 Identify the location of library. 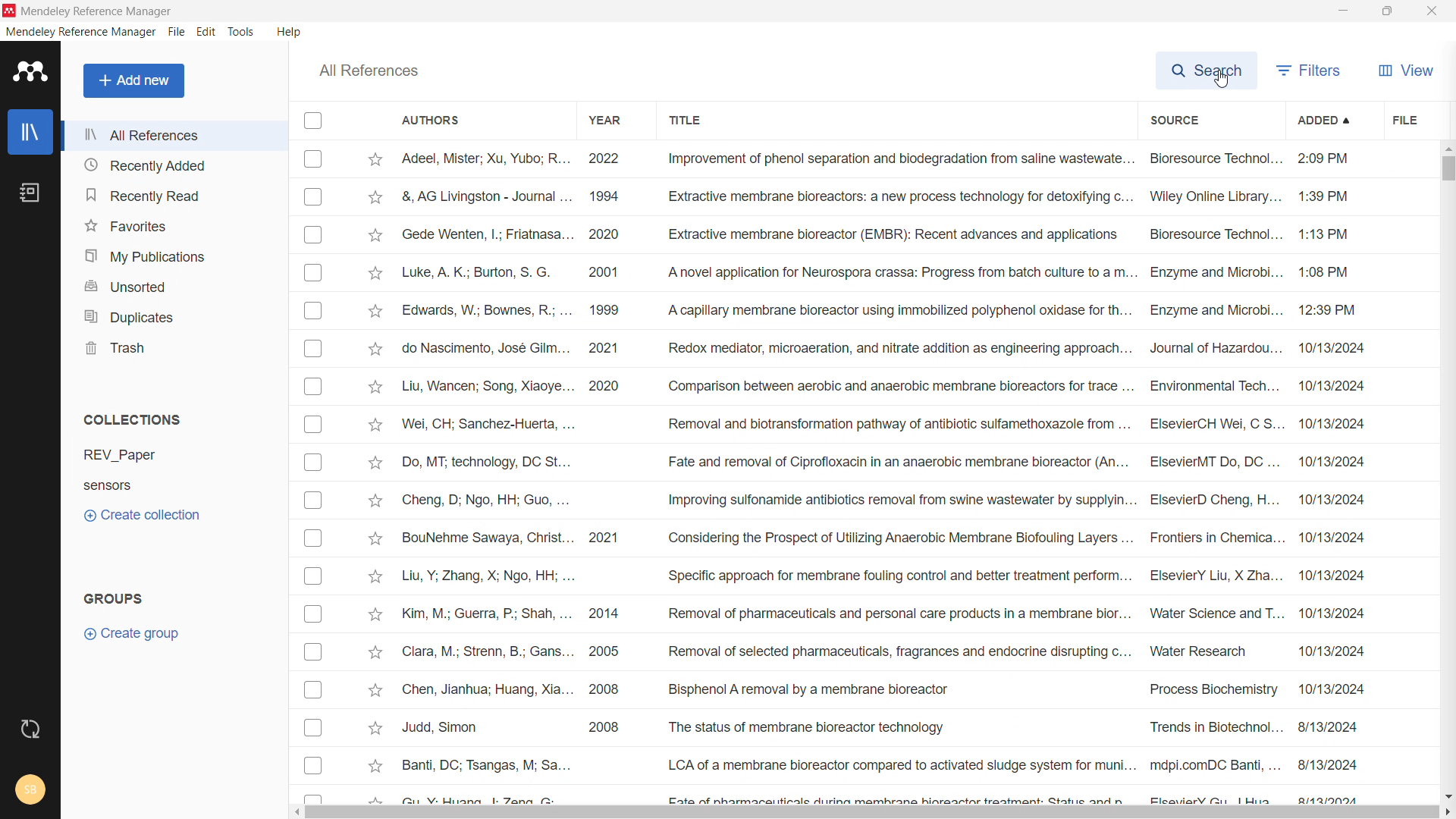
(30, 132).